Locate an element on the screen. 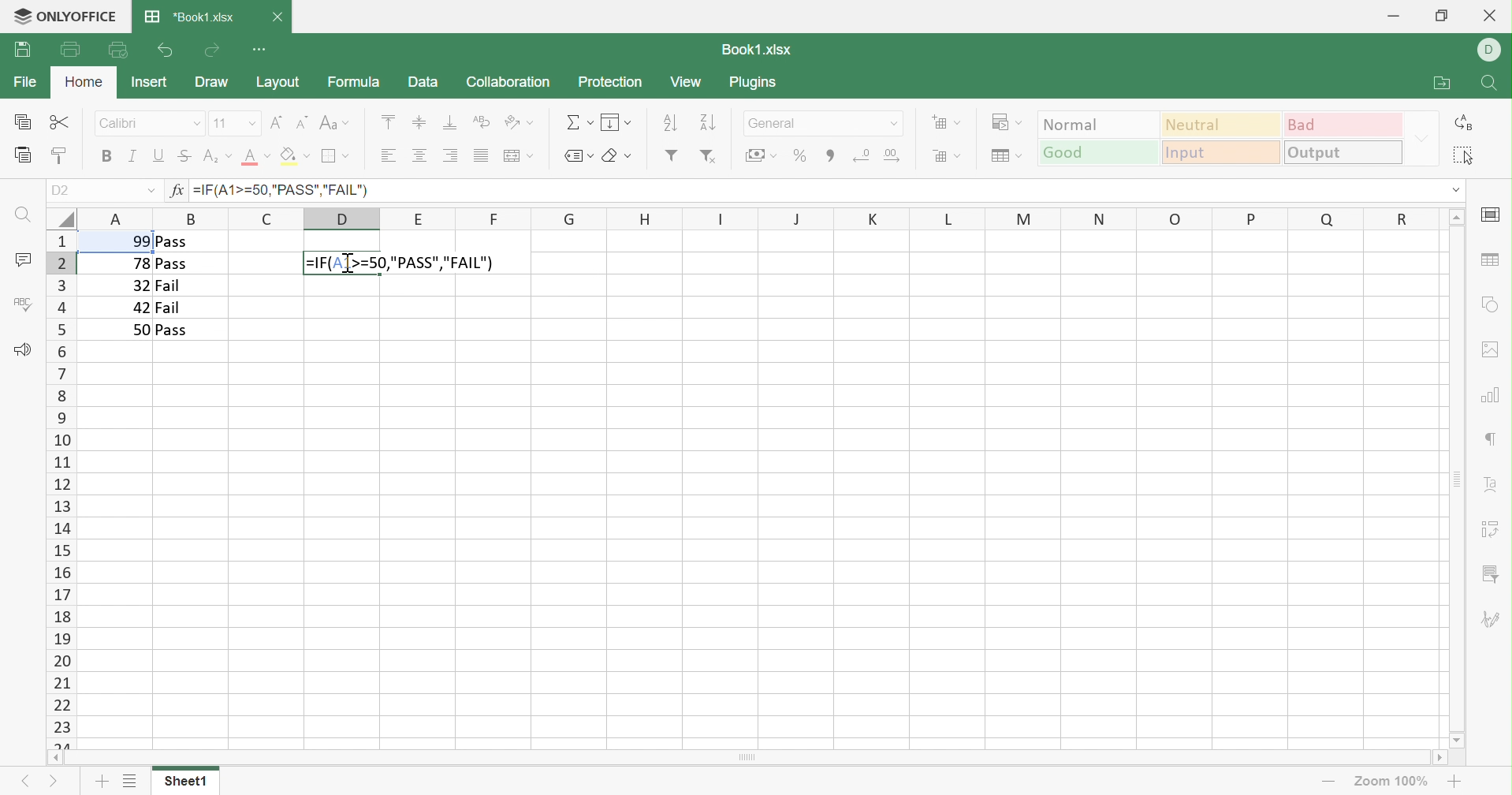 Image resolution: width=1512 pixels, height=795 pixels. Data is located at coordinates (421, 80).